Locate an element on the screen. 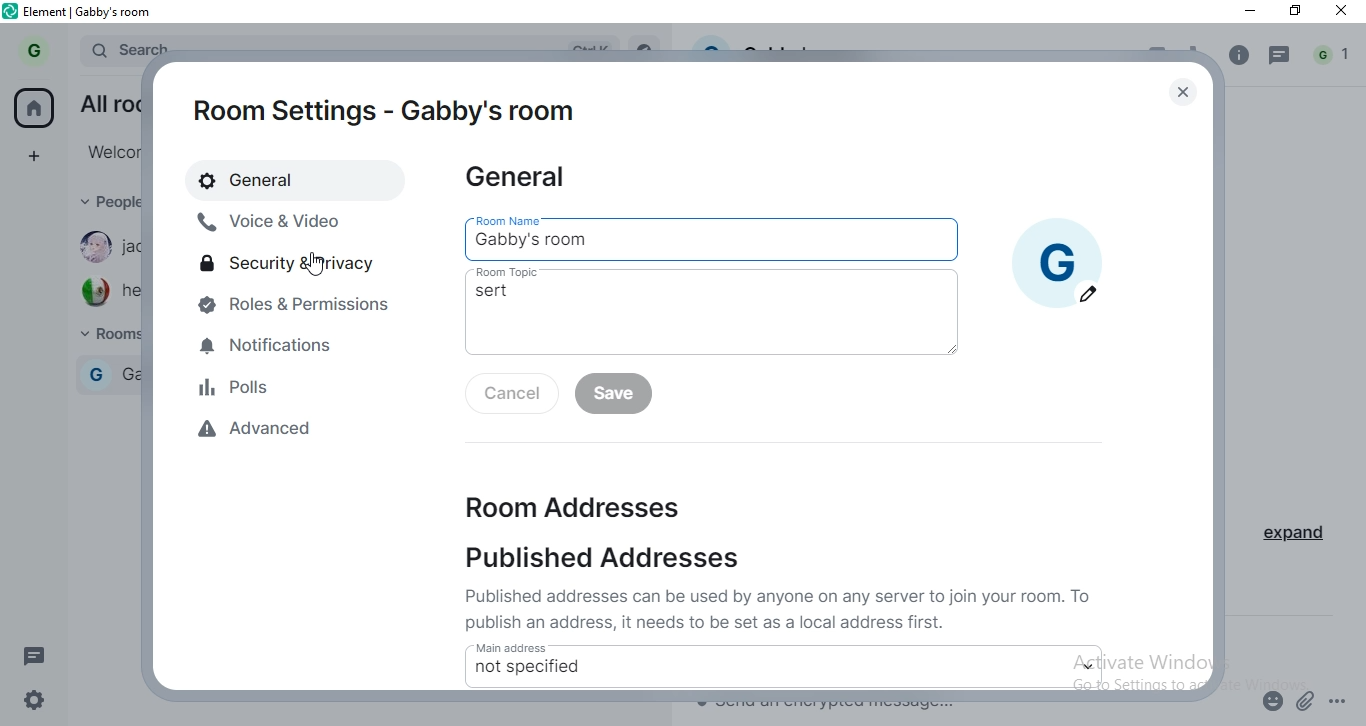 The height and width of the screenshot is (726, 1366). Profile image is located at coordinates (93, 292).